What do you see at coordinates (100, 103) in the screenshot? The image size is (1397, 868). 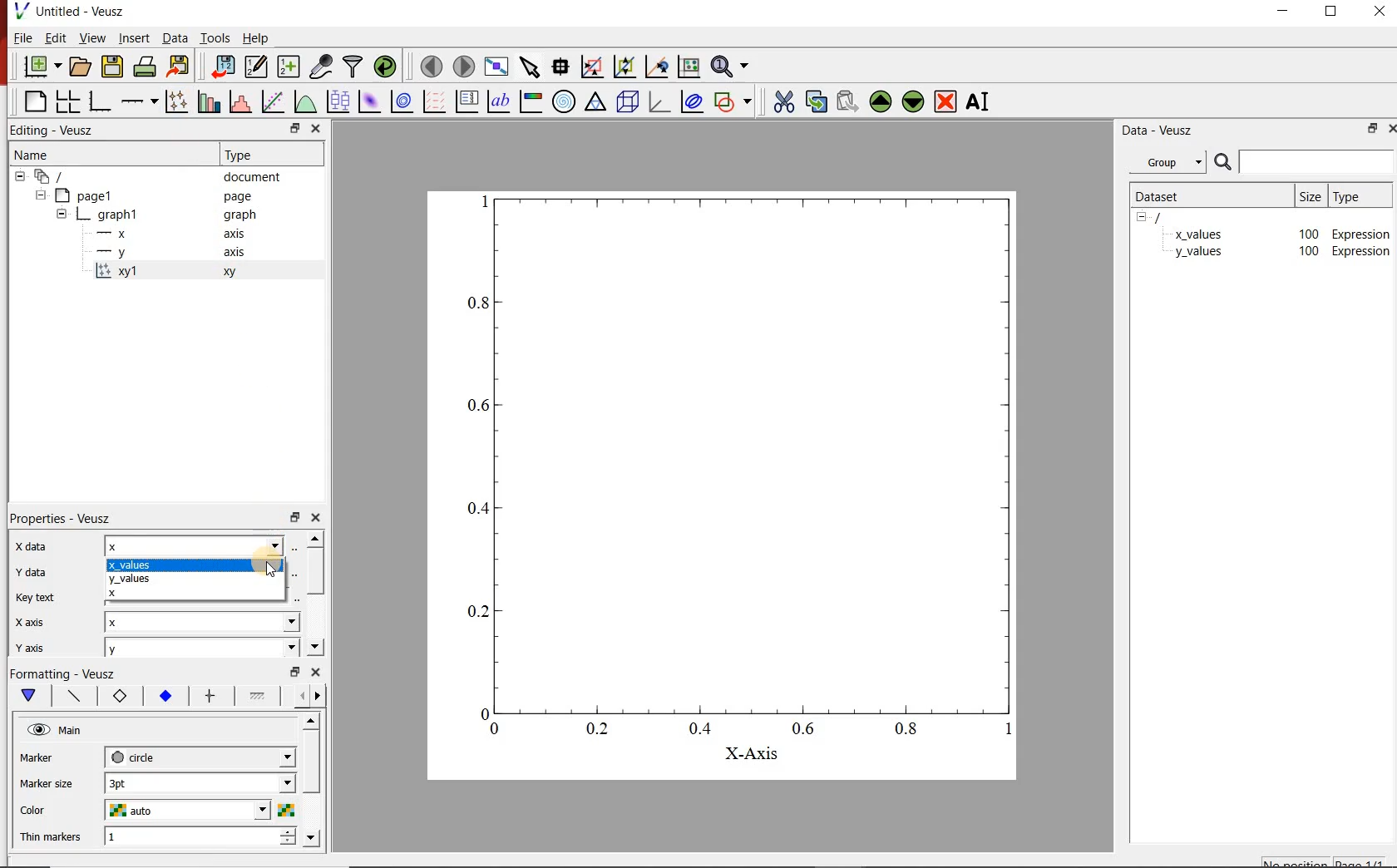 I see `bar graph` at bounding box center [100, 103].